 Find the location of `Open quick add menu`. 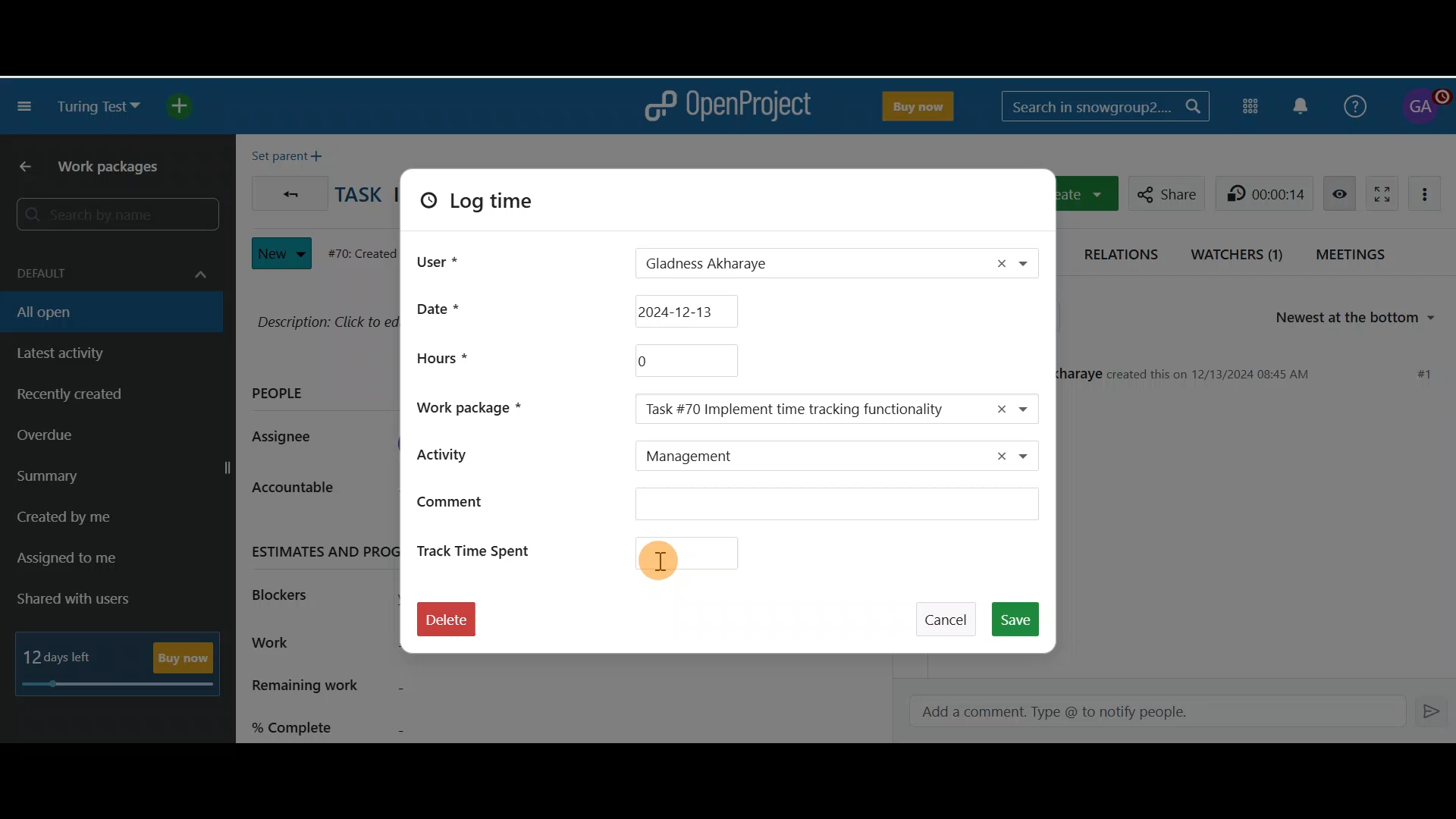

Open quick add menu is located at coordinates (187, 106).